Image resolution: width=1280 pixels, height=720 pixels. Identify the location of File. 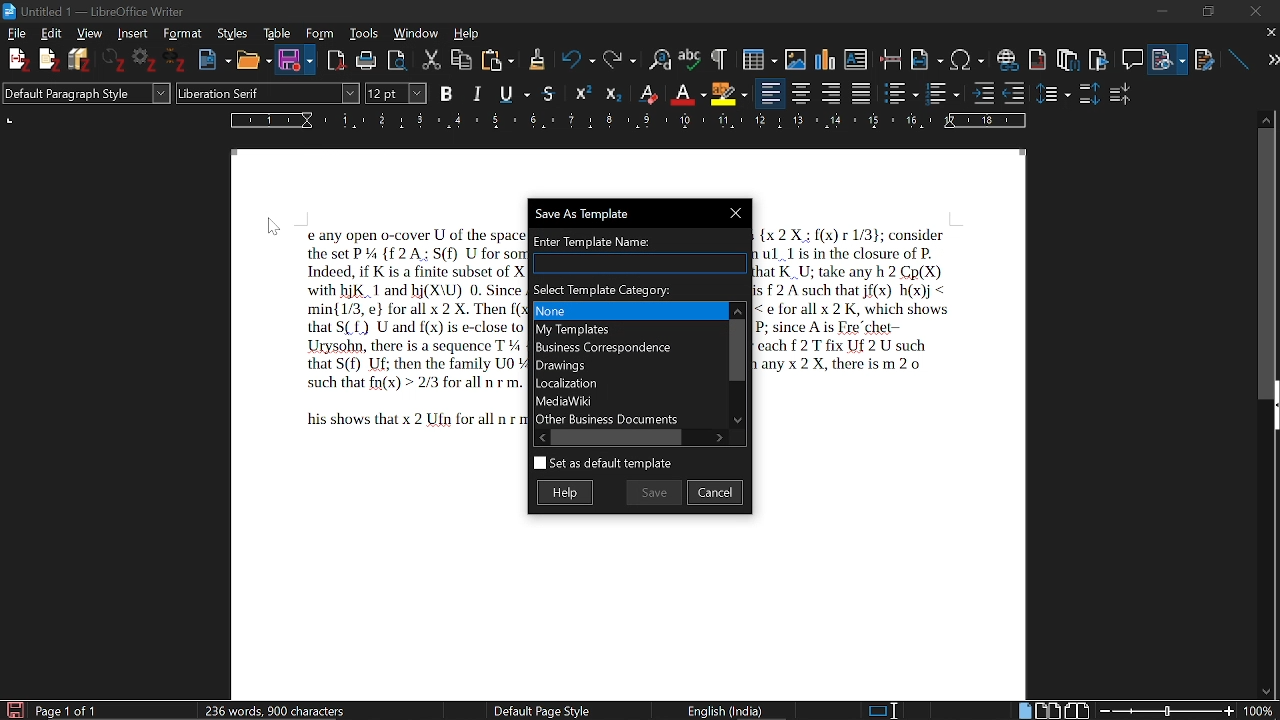
(1171, 56).